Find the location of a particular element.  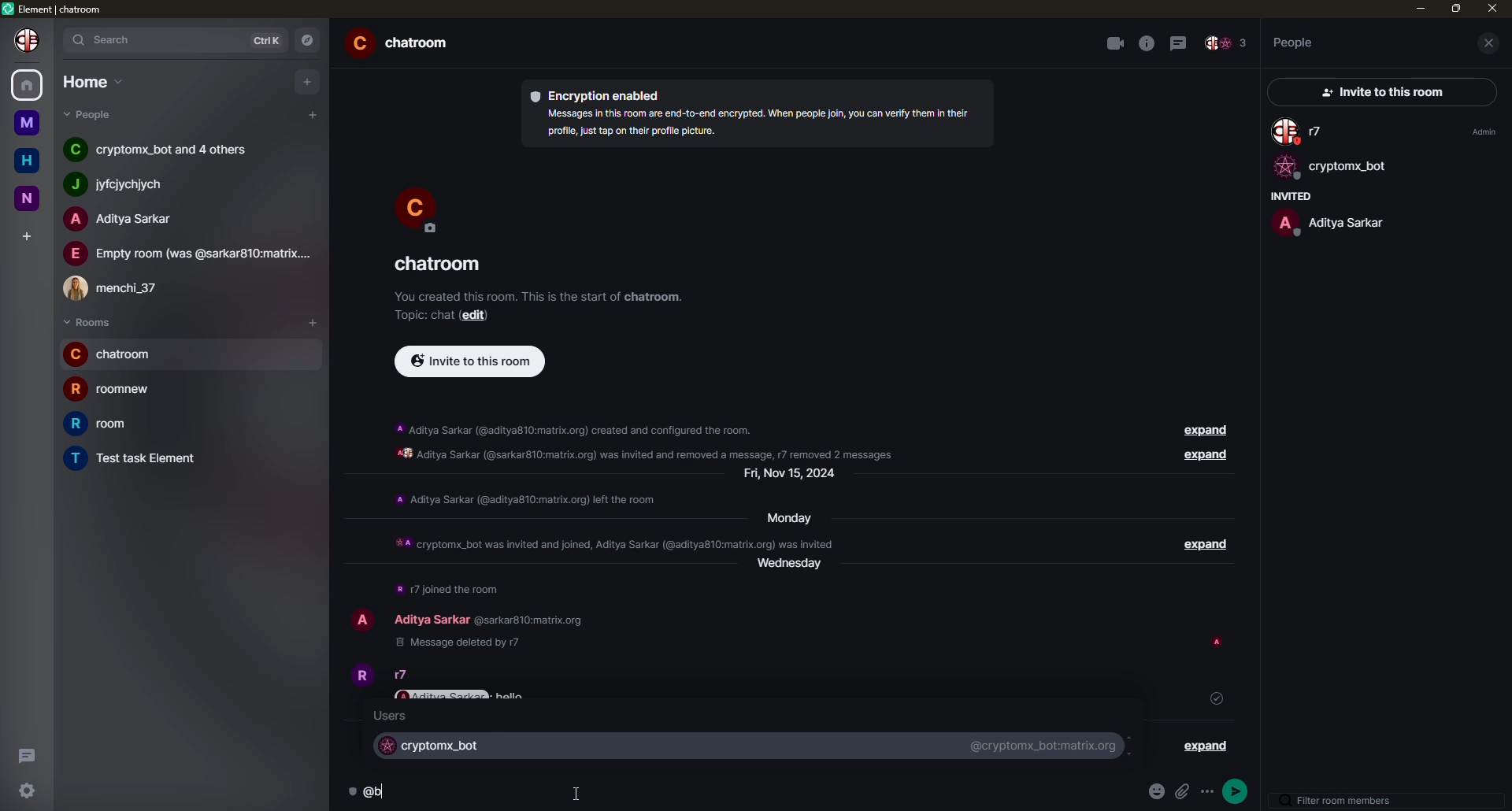

room is located at coordinates (437, 265).